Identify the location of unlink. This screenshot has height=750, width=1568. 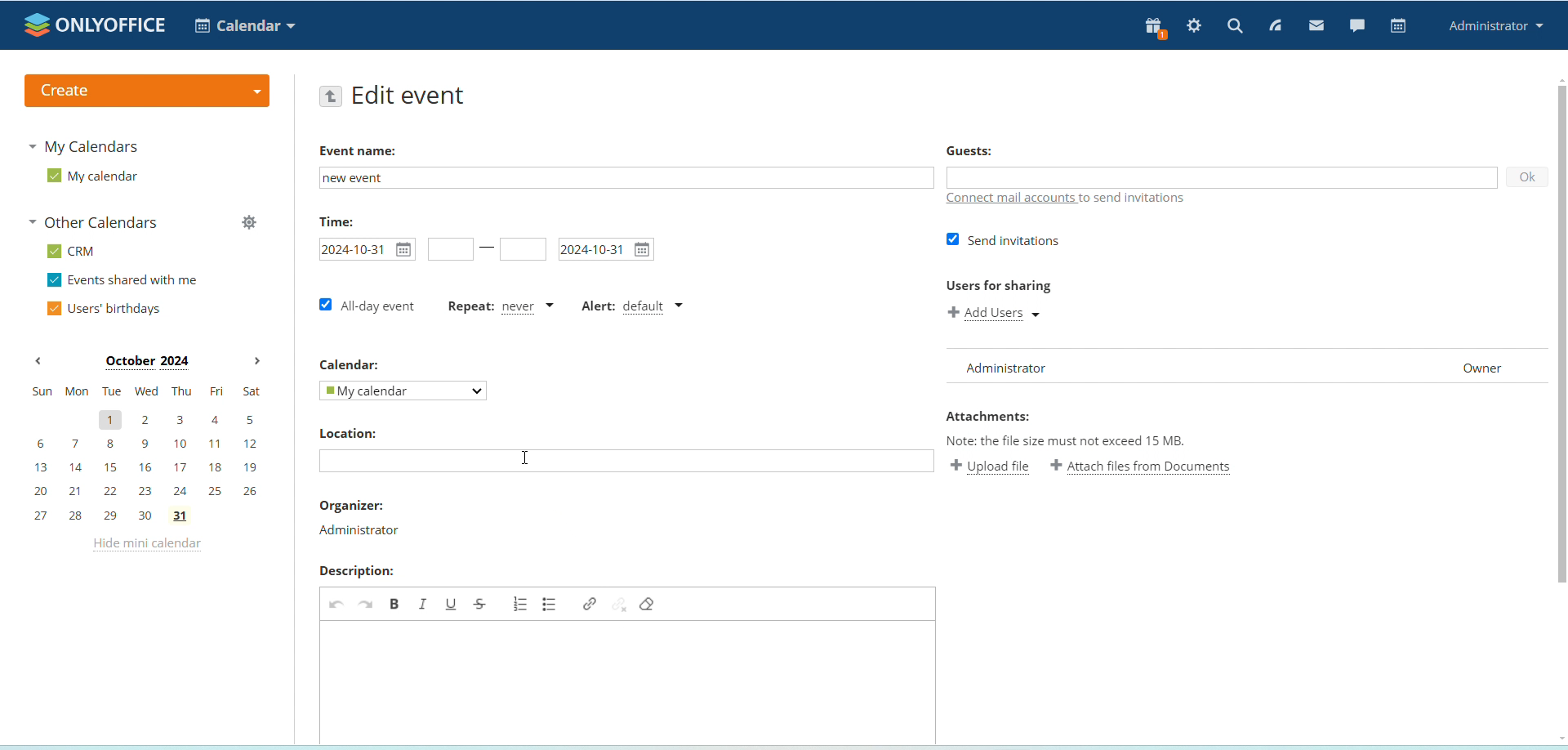
(620, 603).